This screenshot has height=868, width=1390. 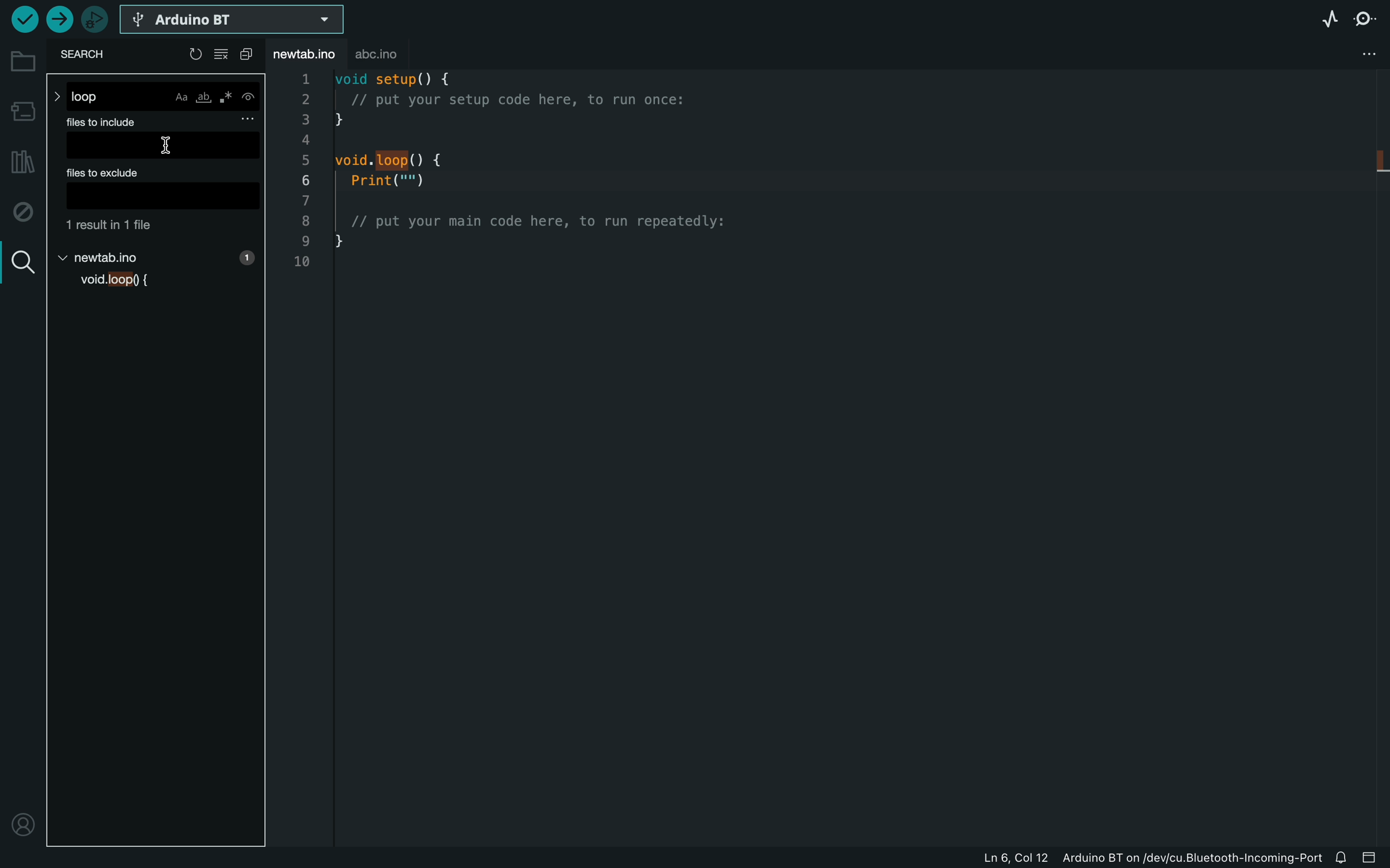 What do you see at coordinates (249, 55) in the screenshot?
I see `copy` at bounding box center [249, 55].